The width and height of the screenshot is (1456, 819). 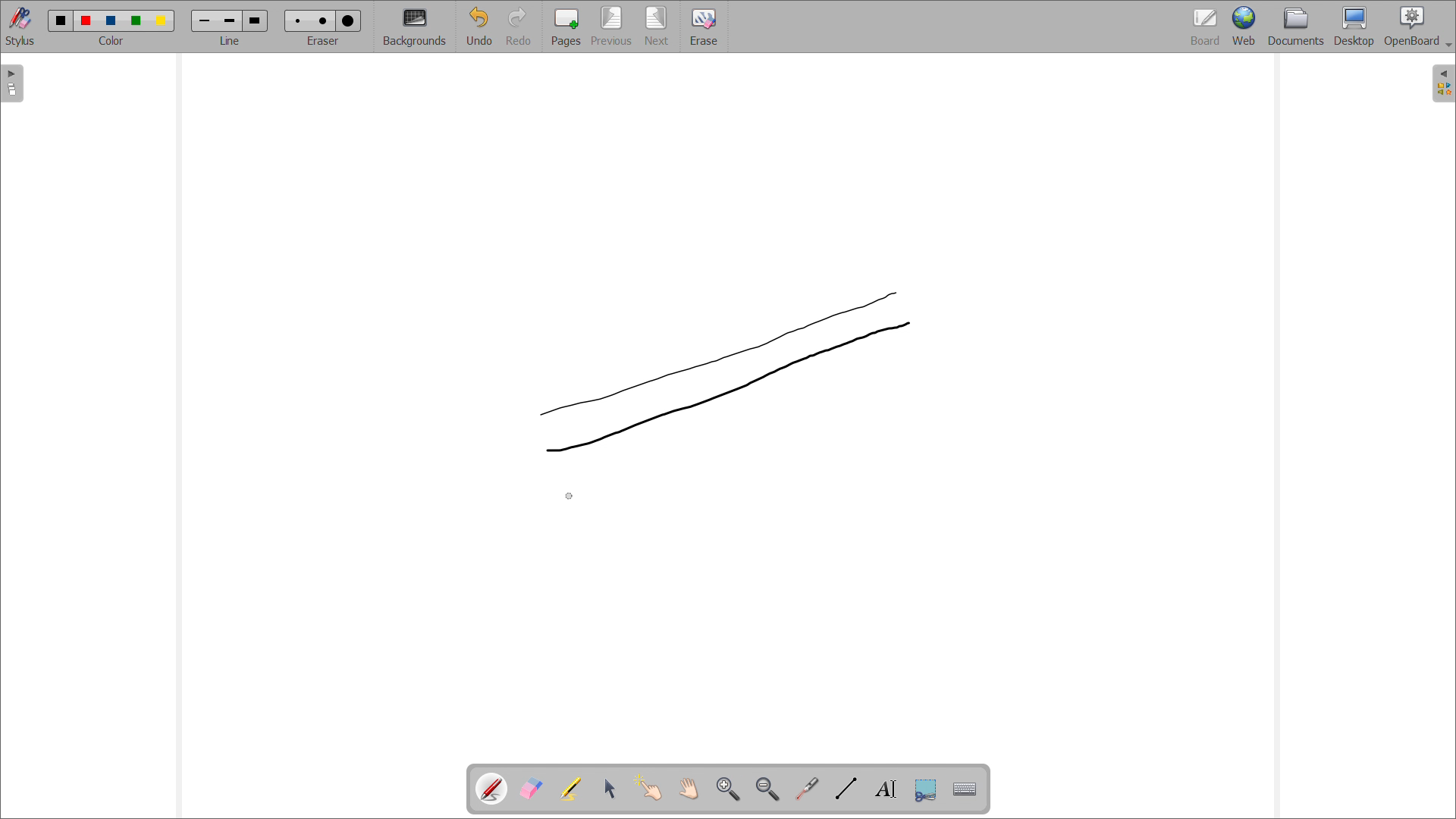 What do you see at coordinates (1296, 27) in the screenshot?
I see `documents` at bounding box center [1296, 27].